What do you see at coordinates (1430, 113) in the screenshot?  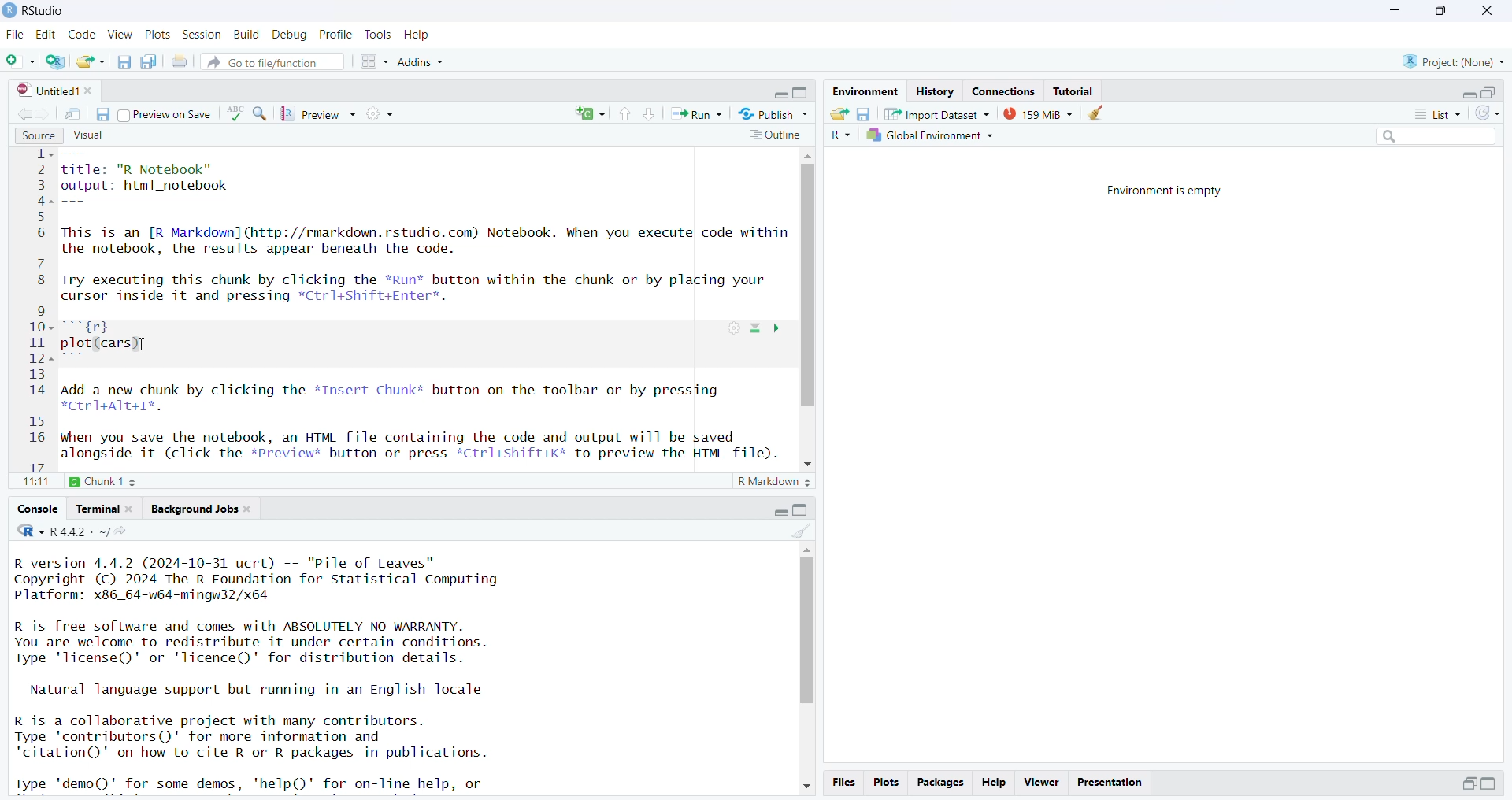 I see `list` at bounding box center [1430, 113].